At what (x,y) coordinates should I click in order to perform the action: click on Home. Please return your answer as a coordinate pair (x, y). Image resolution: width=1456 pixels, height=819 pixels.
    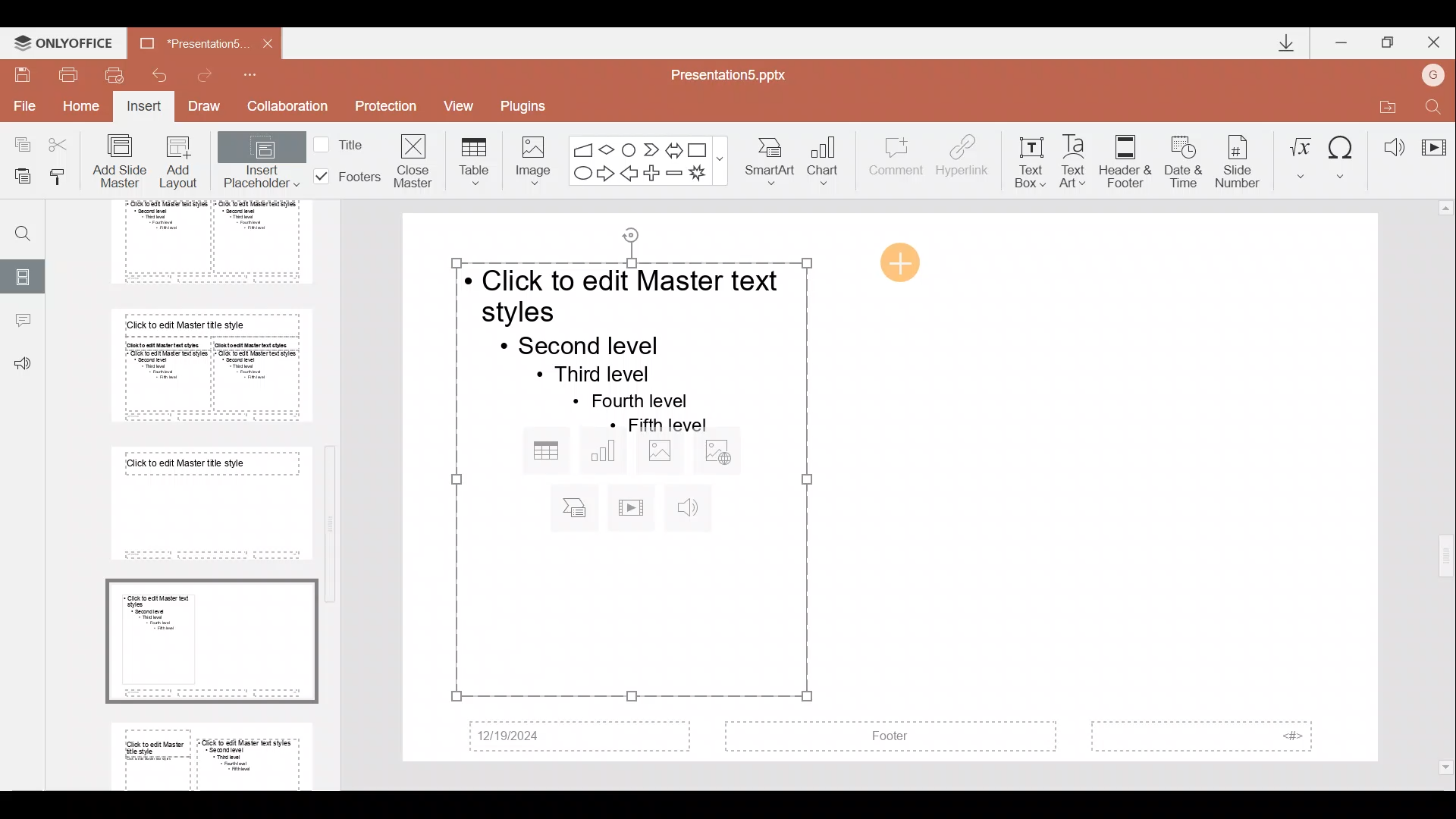
    Looking at the image, I should click on (83, 110).